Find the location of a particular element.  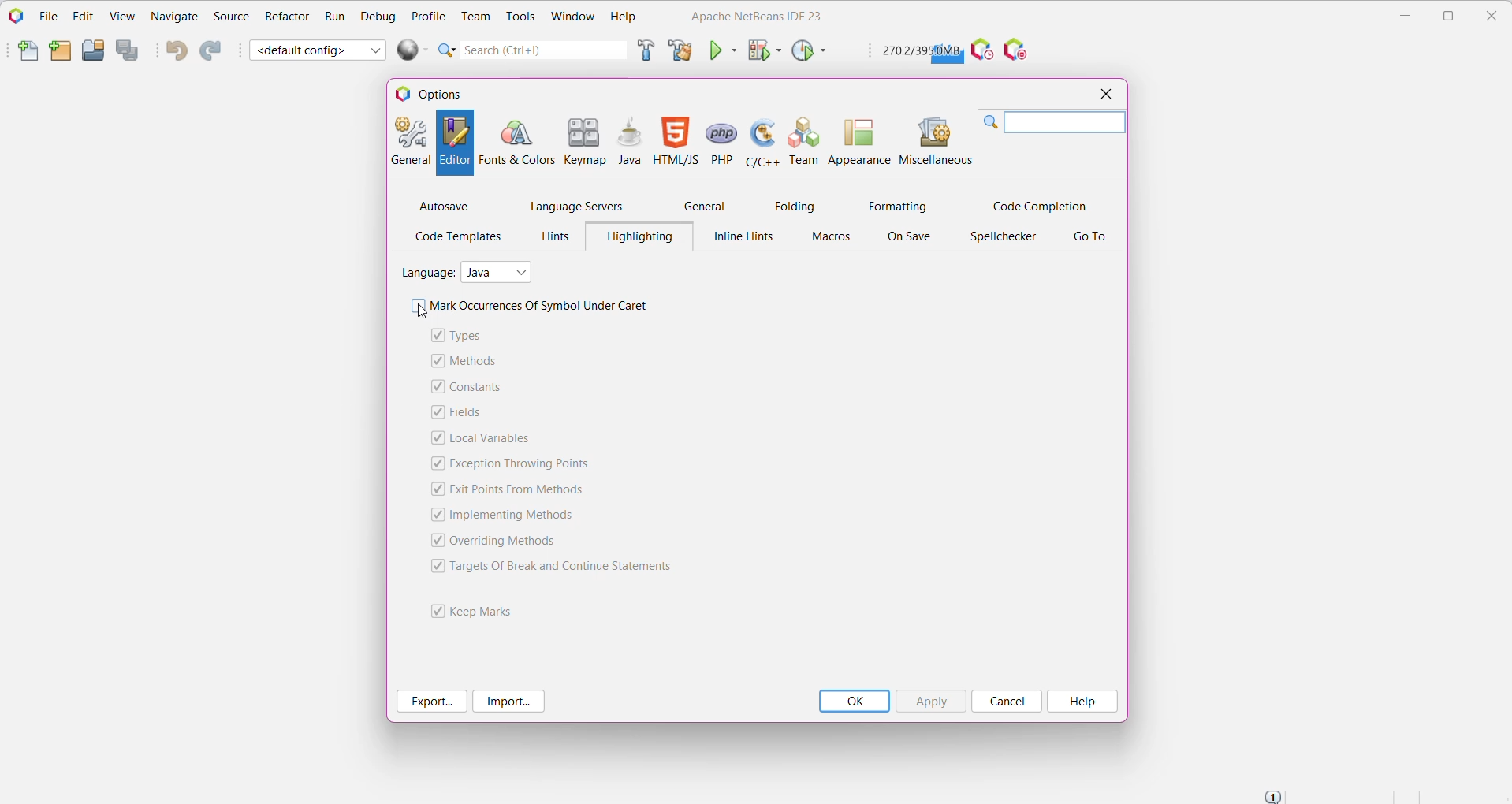

Help is located at coordinates (624, 17).